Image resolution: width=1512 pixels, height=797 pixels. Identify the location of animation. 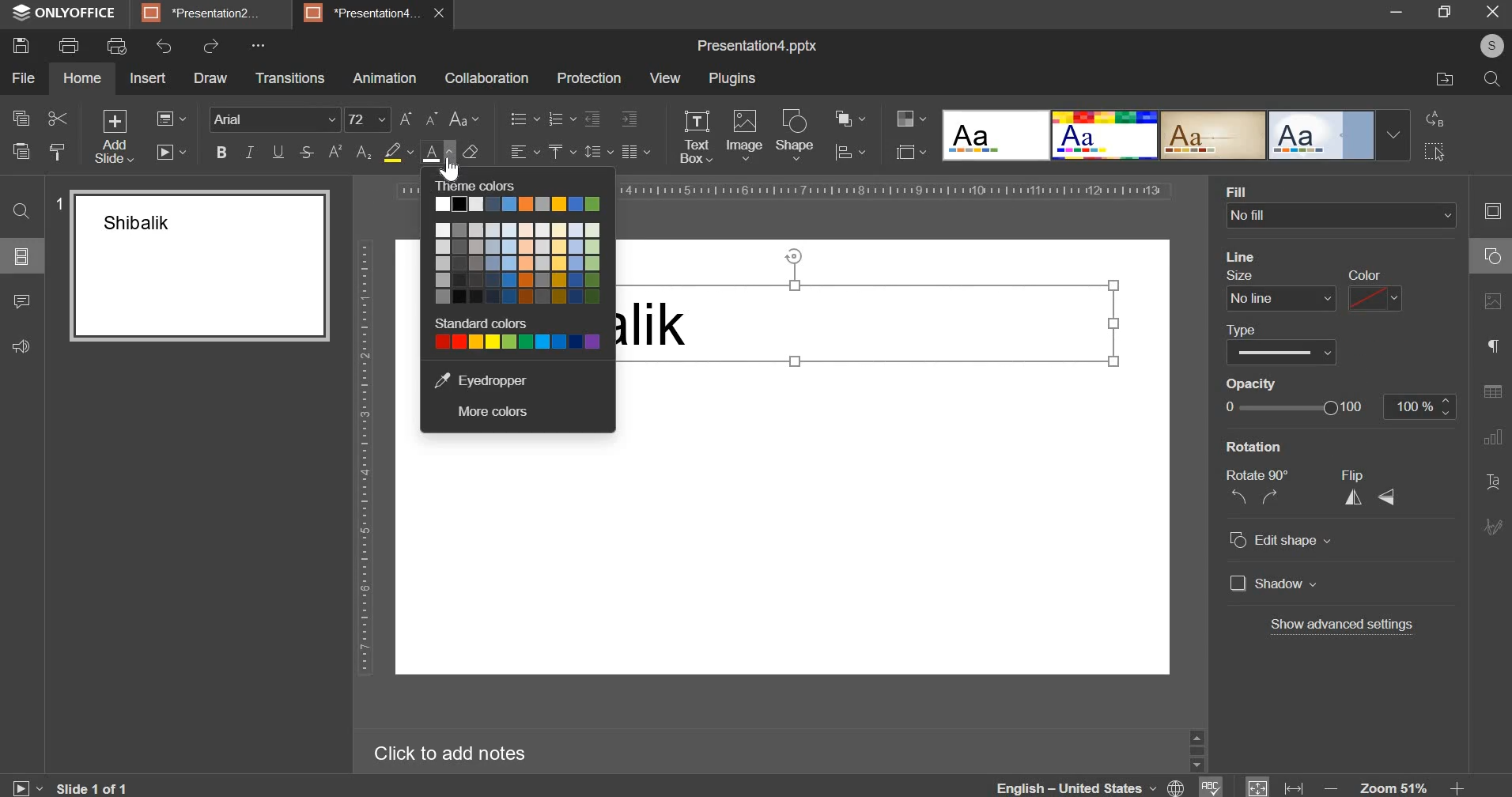
(385, 78).